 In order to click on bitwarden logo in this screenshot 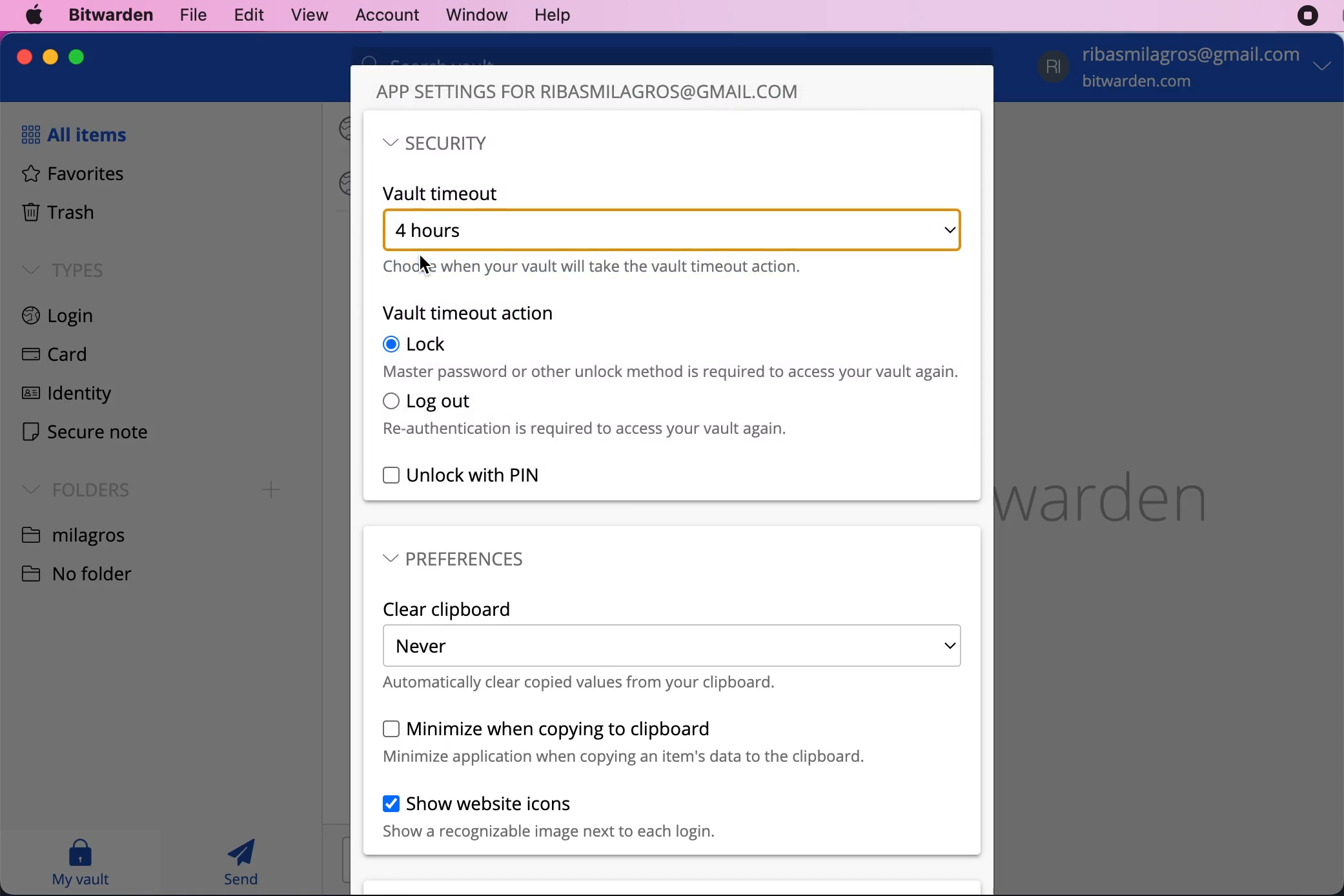, I will do `click(1126, 491)`.